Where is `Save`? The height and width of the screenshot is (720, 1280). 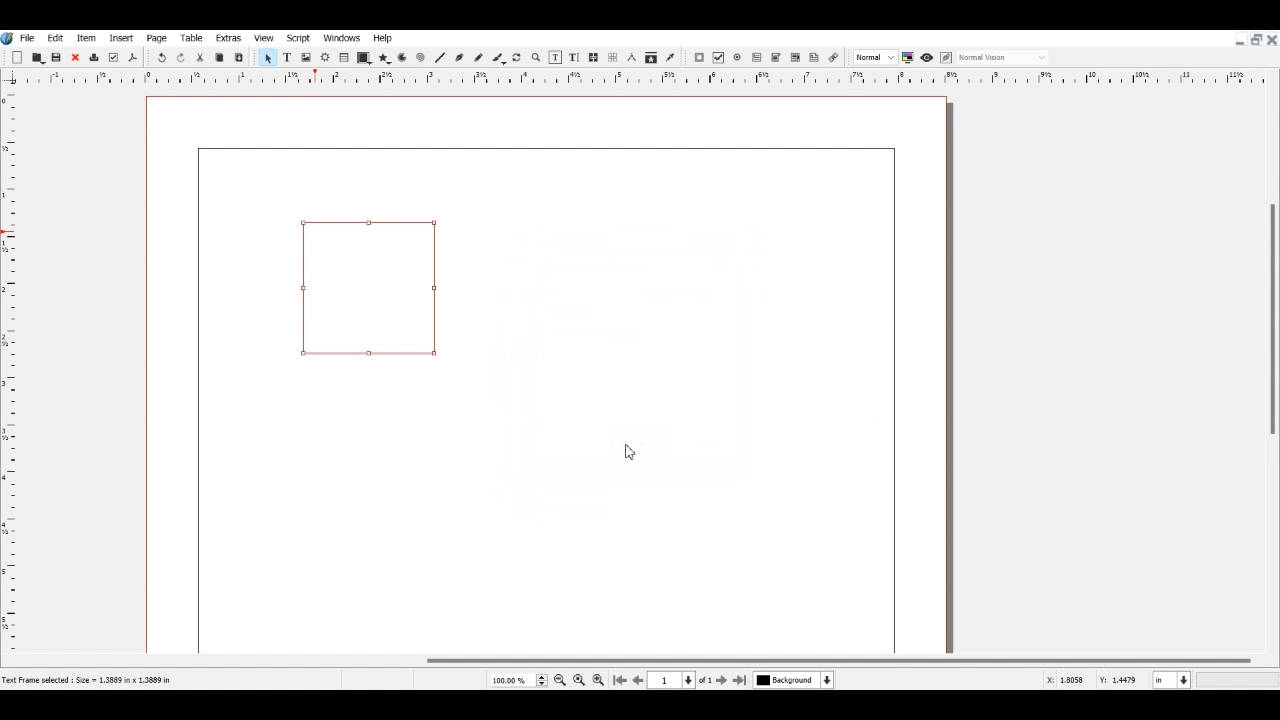 Save is located at coordinates (58, 57).